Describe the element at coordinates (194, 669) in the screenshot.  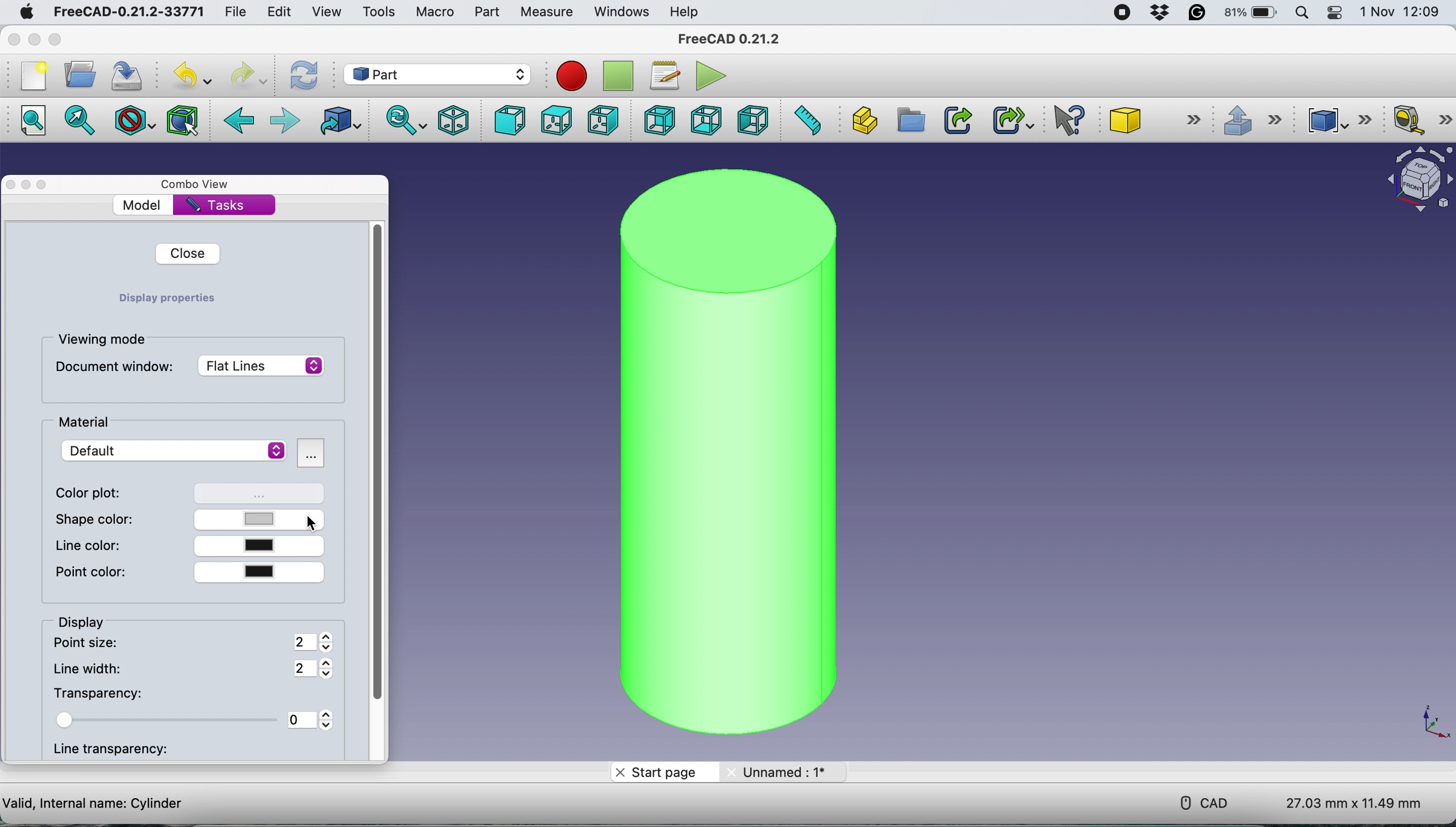
I see `line width` at that location.